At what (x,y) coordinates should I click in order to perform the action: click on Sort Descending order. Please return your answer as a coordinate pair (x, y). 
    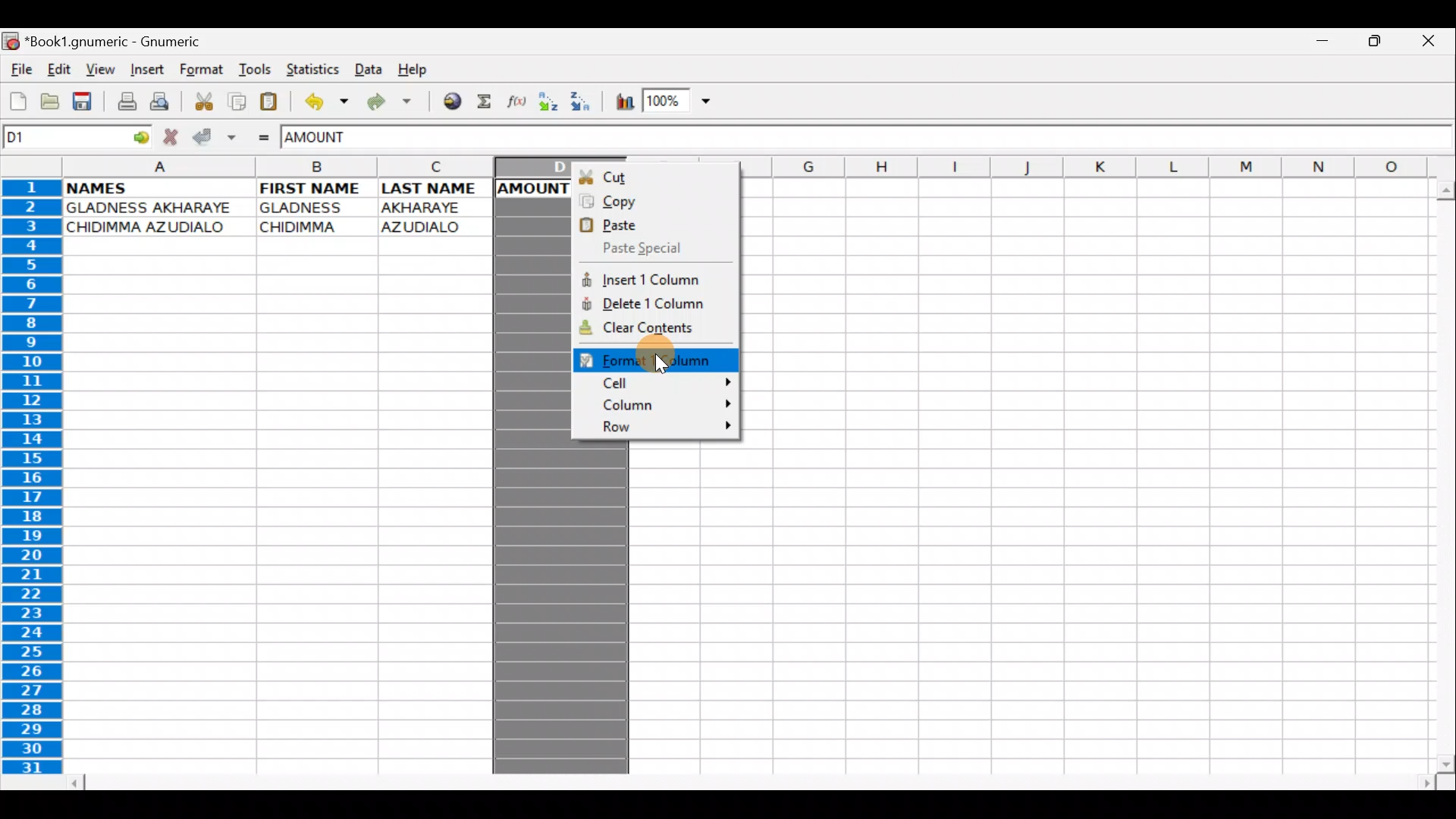
    Looking at the image, I should click on (582, 102).